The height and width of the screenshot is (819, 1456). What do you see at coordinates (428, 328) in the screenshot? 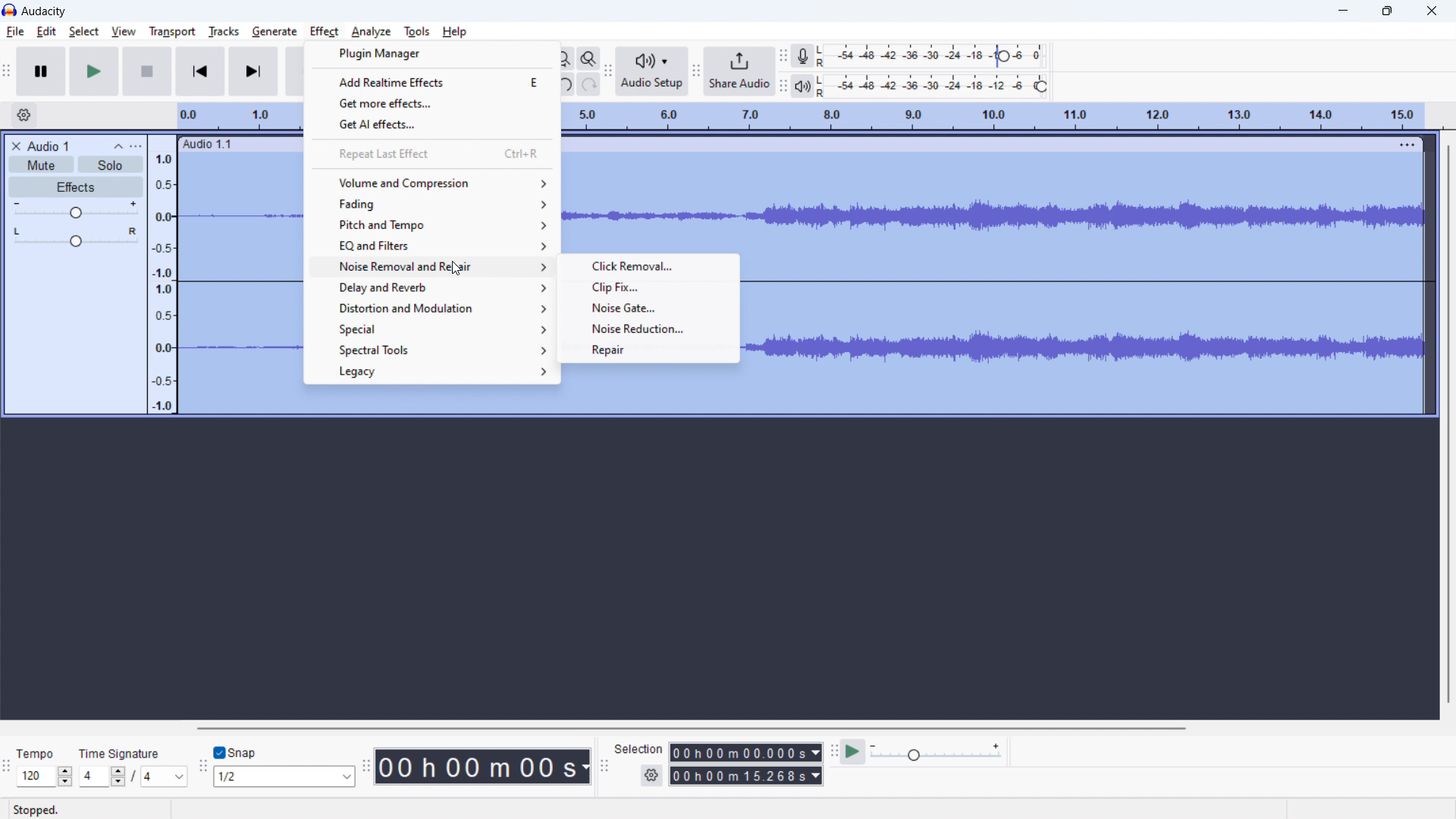
I see `special` at bounding box center [428, 328].